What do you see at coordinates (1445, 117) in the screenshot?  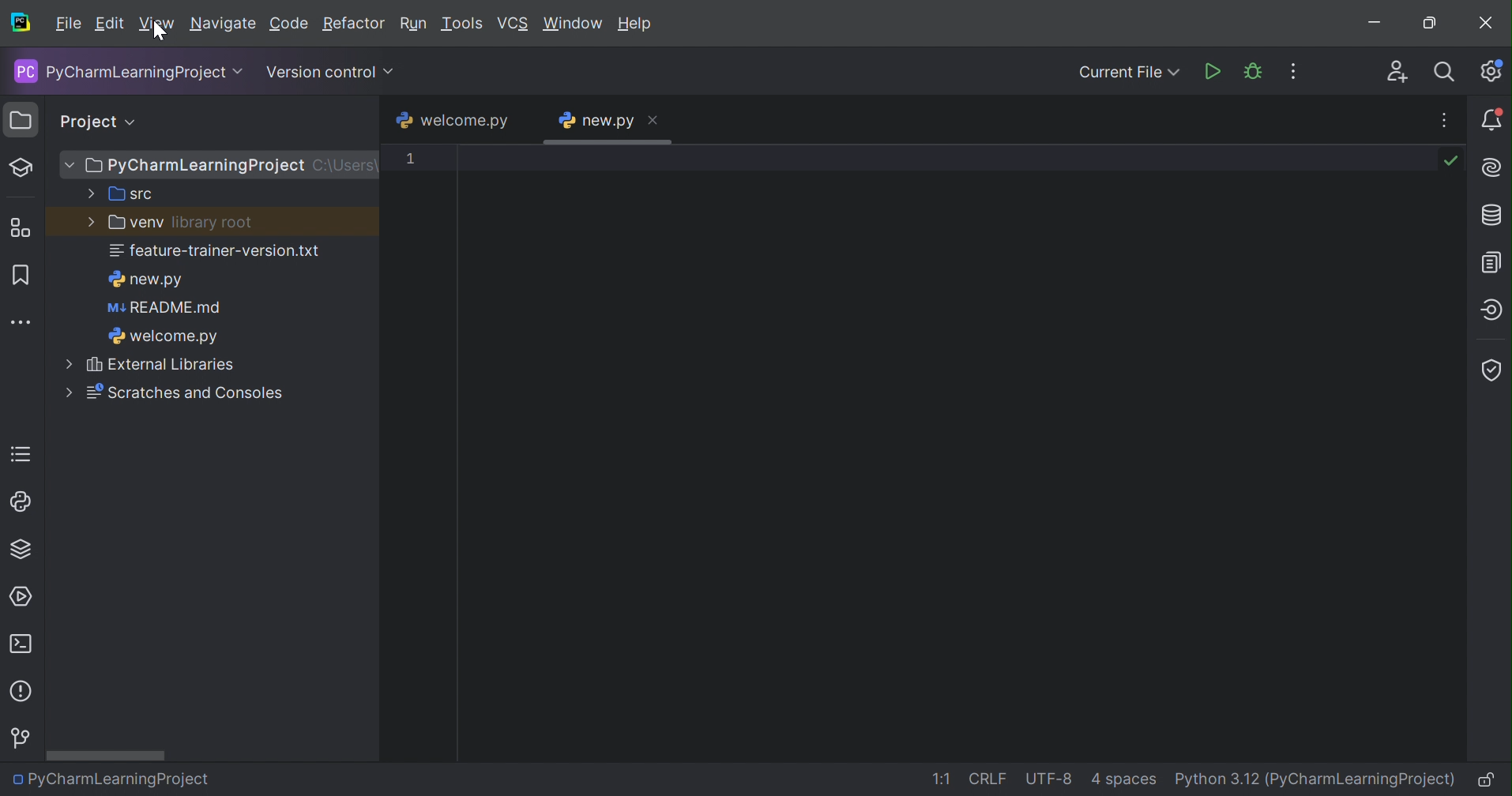 I see `Recent Files, Tab Actions, and More` at bounding box center [1445, 117].